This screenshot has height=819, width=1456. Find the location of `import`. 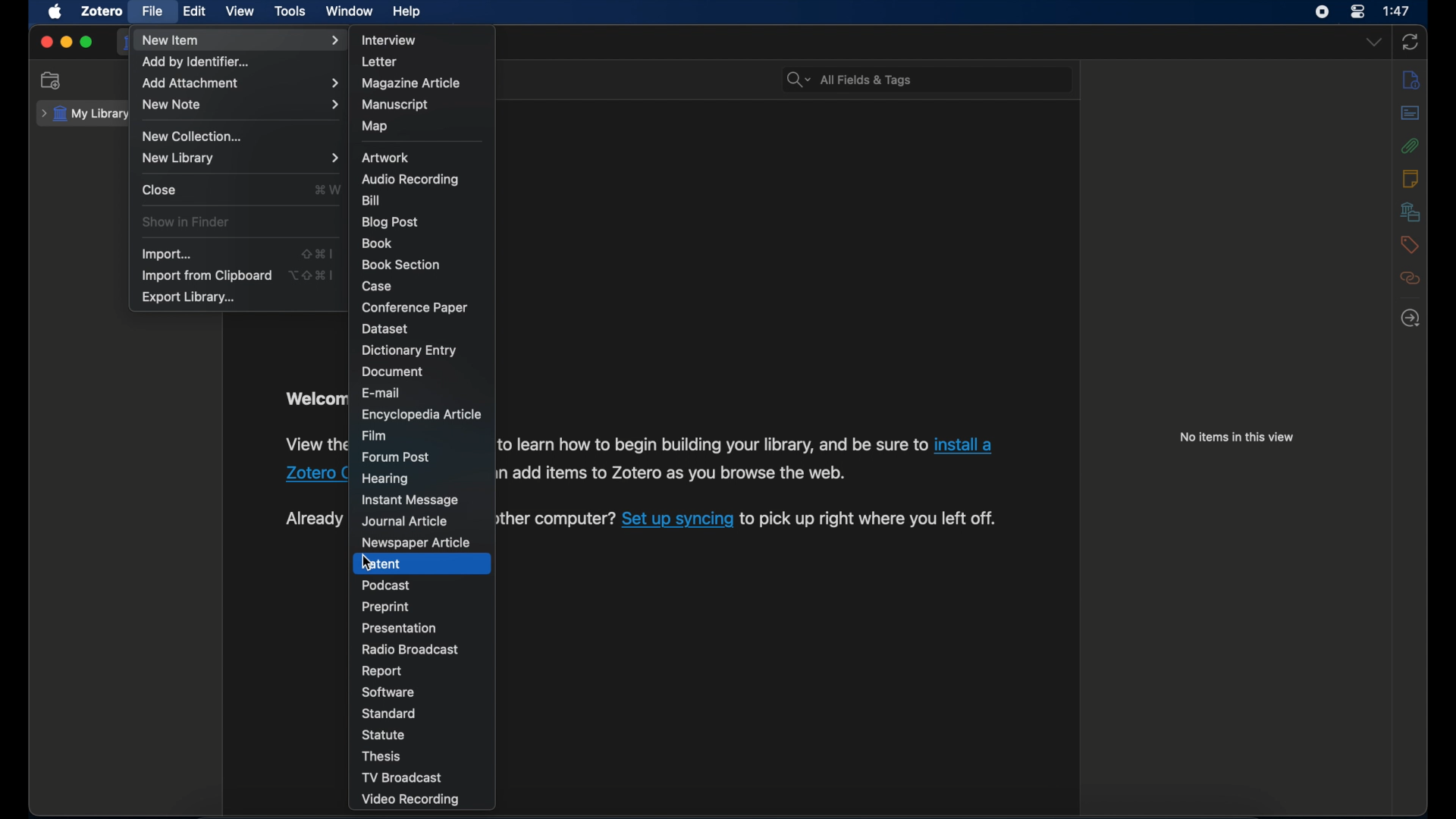

import is located at coordinates (165, 255).